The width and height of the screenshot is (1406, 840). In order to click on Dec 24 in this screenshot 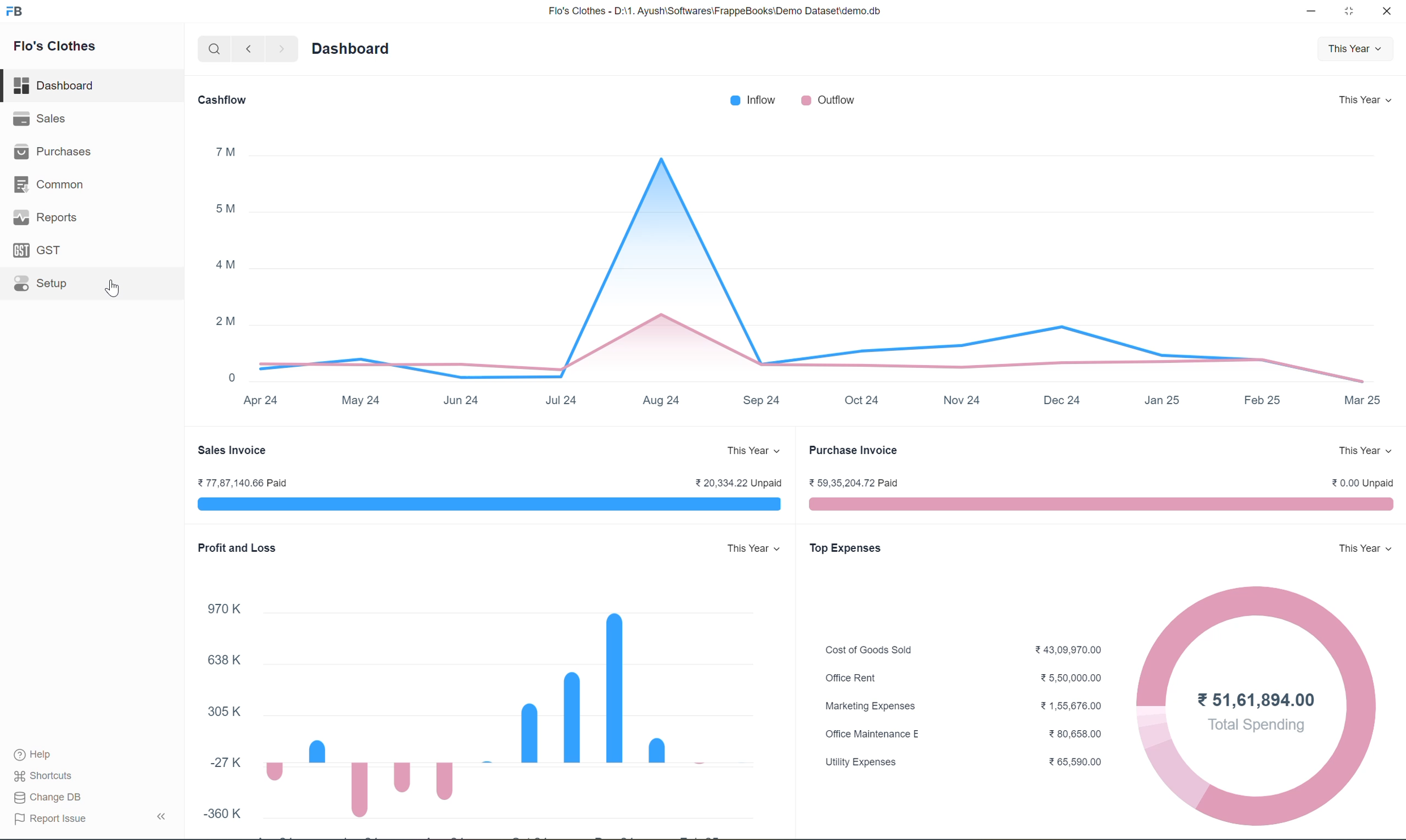, I will do `click(1062, 400)`.